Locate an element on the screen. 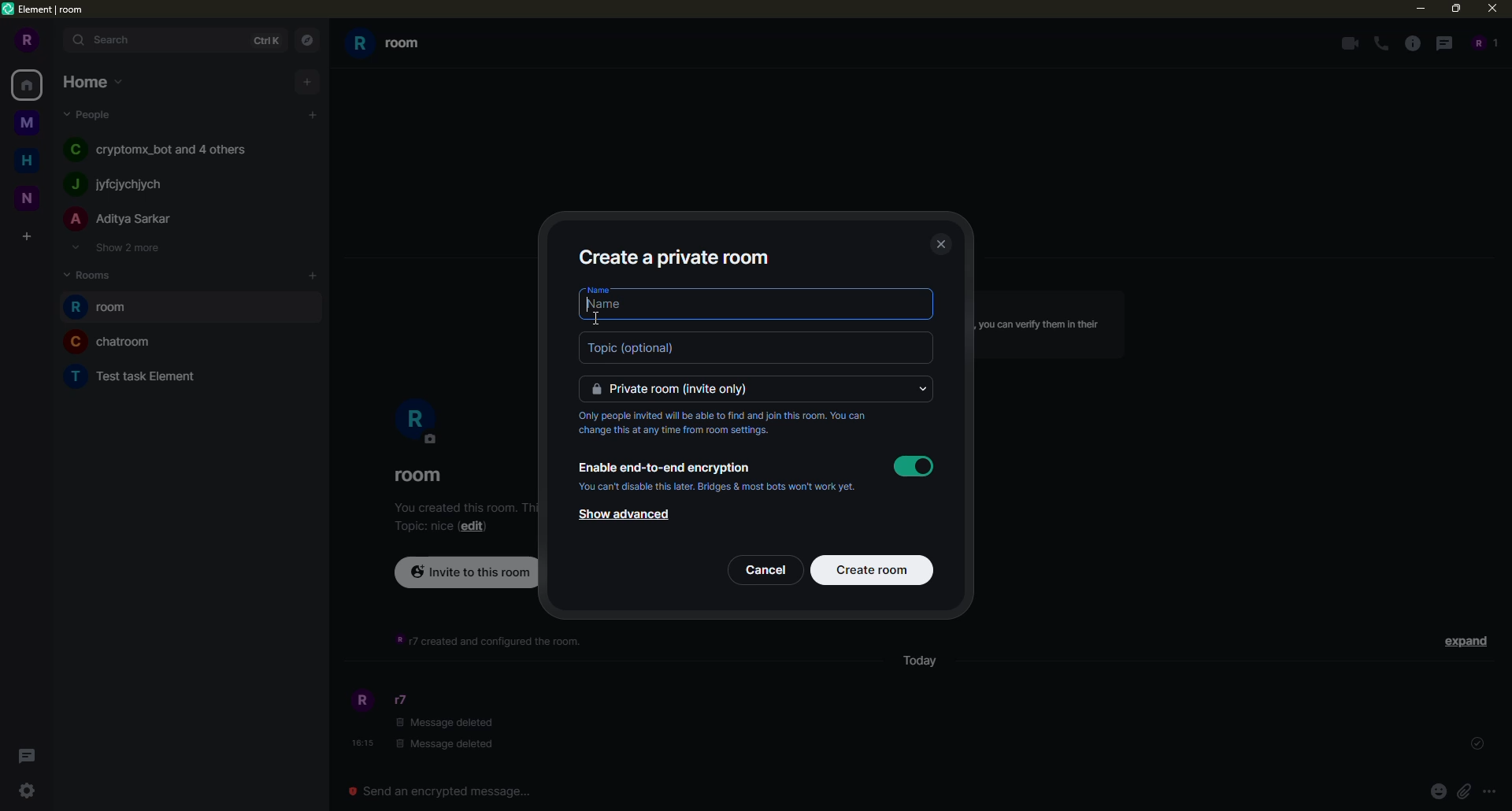 The width and height of the screenshot is (1512, 811). create private room is located at coordinates (677, 257).